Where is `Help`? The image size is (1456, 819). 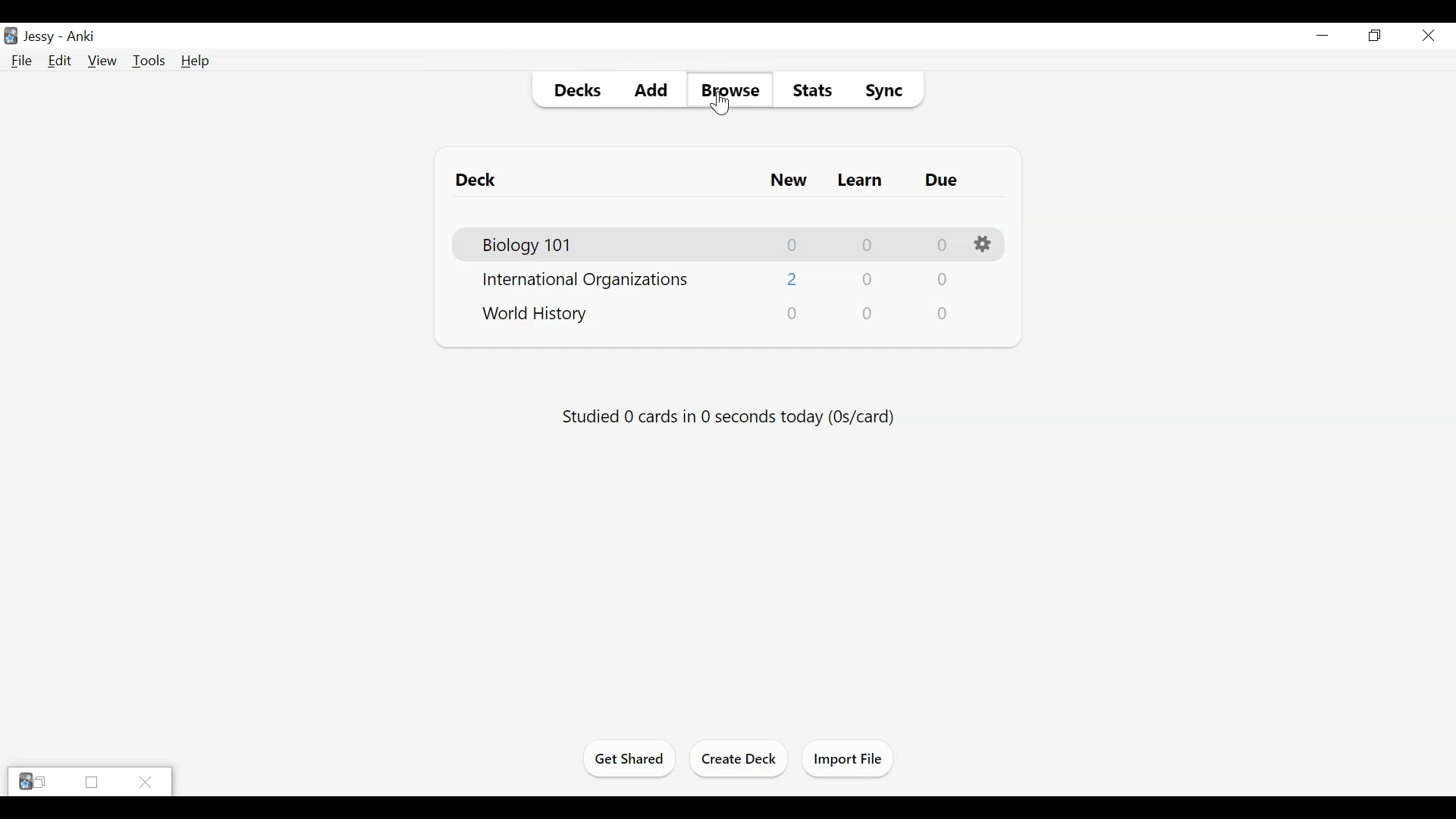
Help is located at coordinates (196, 61).